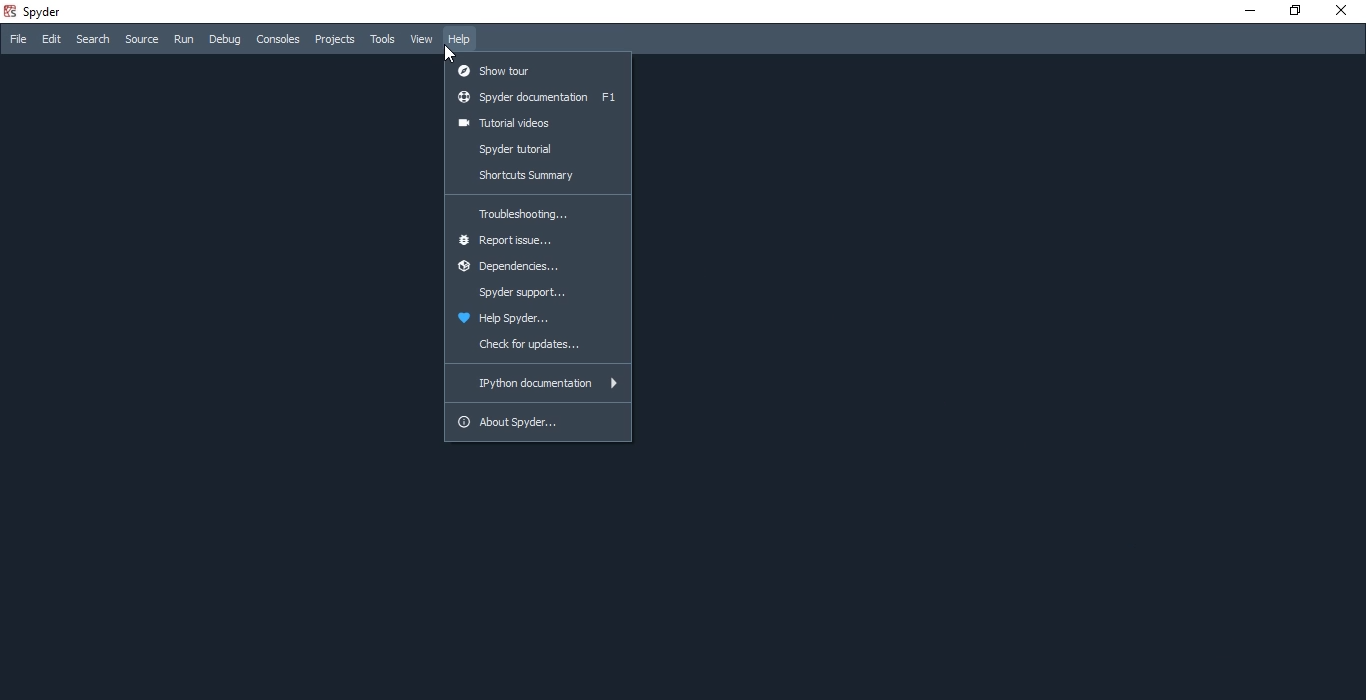  Describe the element at coordinates (93, 38) in the screenshot. I see `Search` at that location.